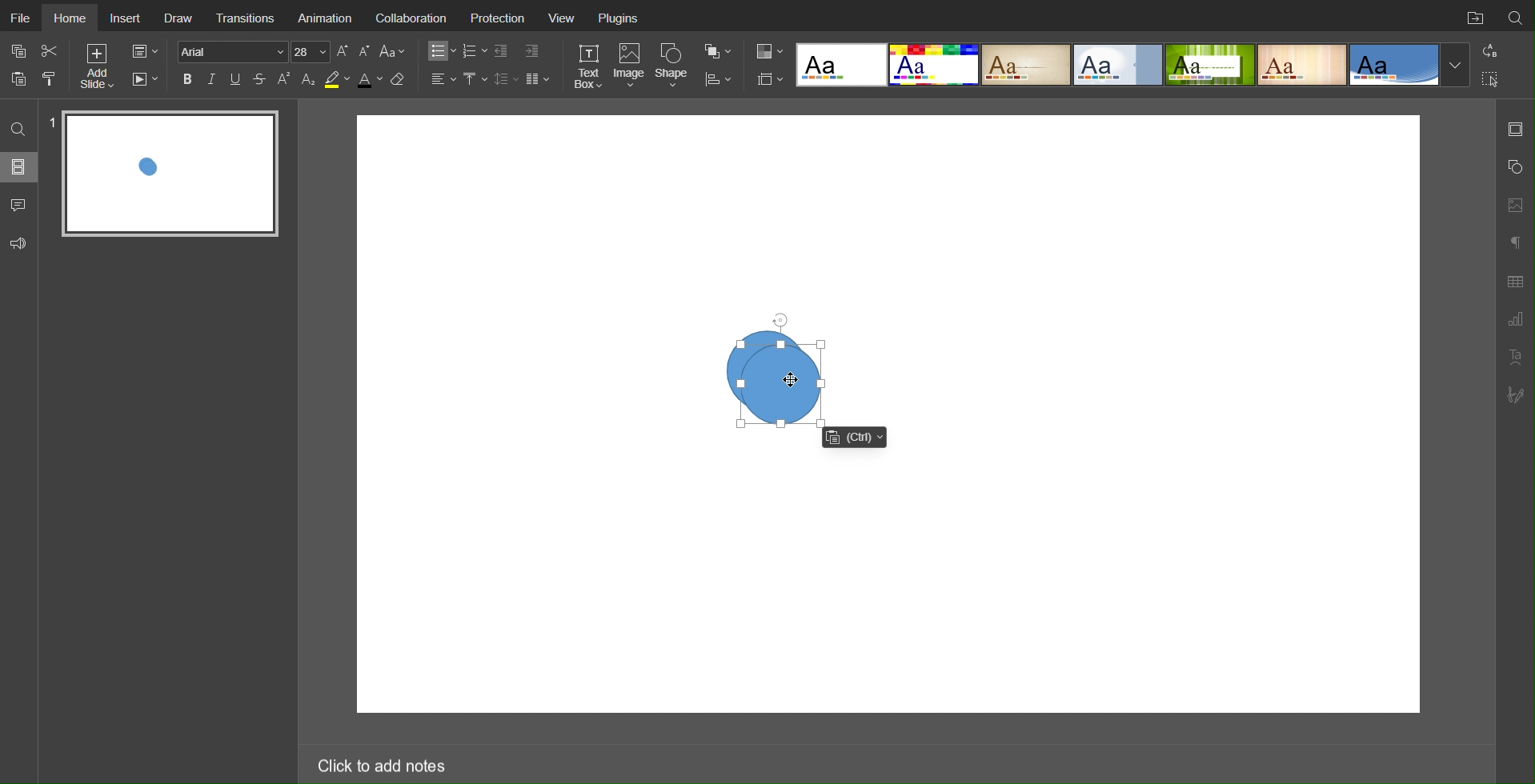 The width and height of the screenshot is (1535, 784). I want to click on Font Settings, so click(251, 51).